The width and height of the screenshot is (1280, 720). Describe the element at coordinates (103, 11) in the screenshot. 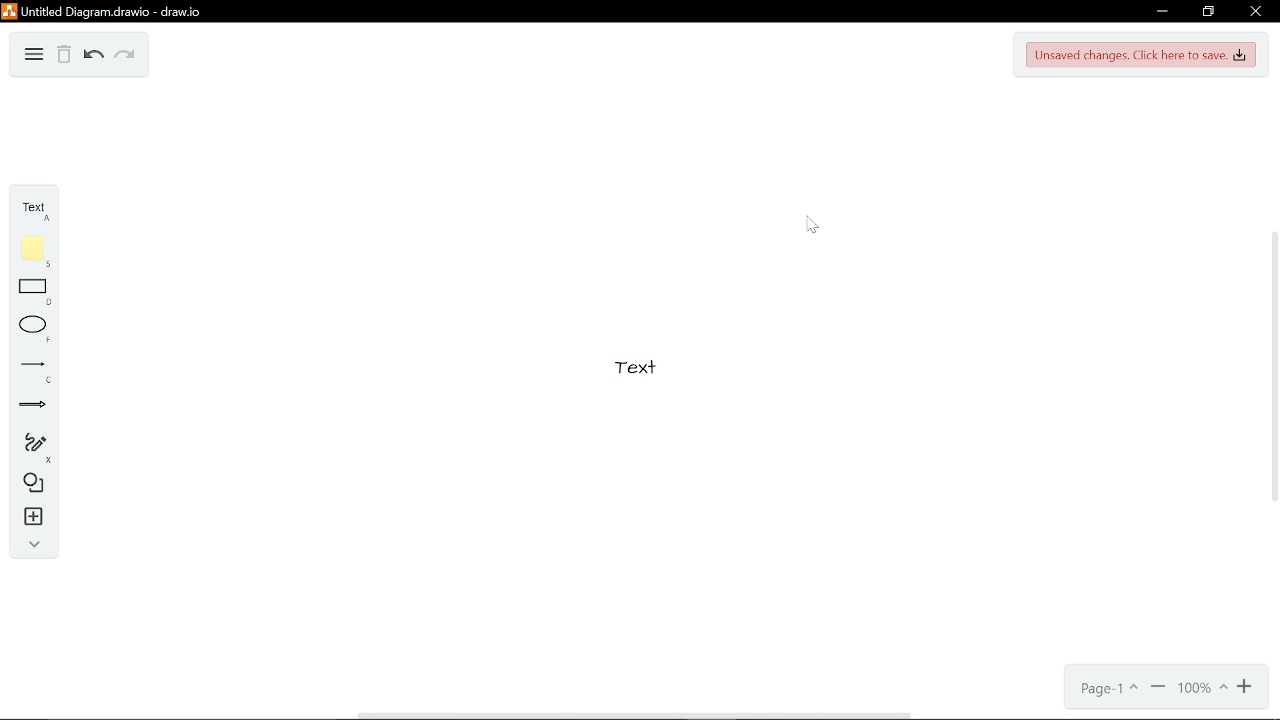

I see `Current window` at that location.